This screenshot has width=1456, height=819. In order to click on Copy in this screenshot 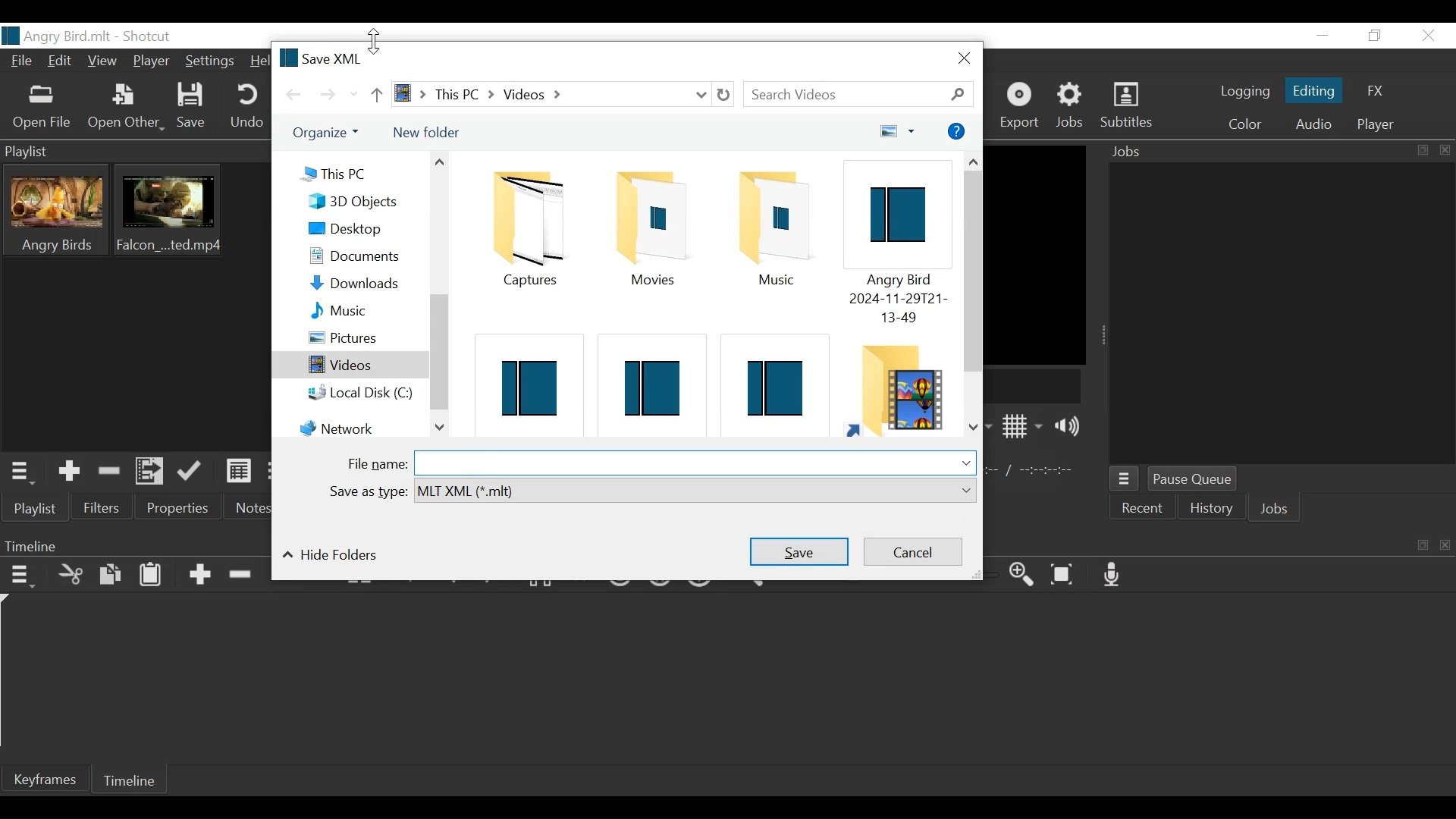, I will do `click(113, 575)`.